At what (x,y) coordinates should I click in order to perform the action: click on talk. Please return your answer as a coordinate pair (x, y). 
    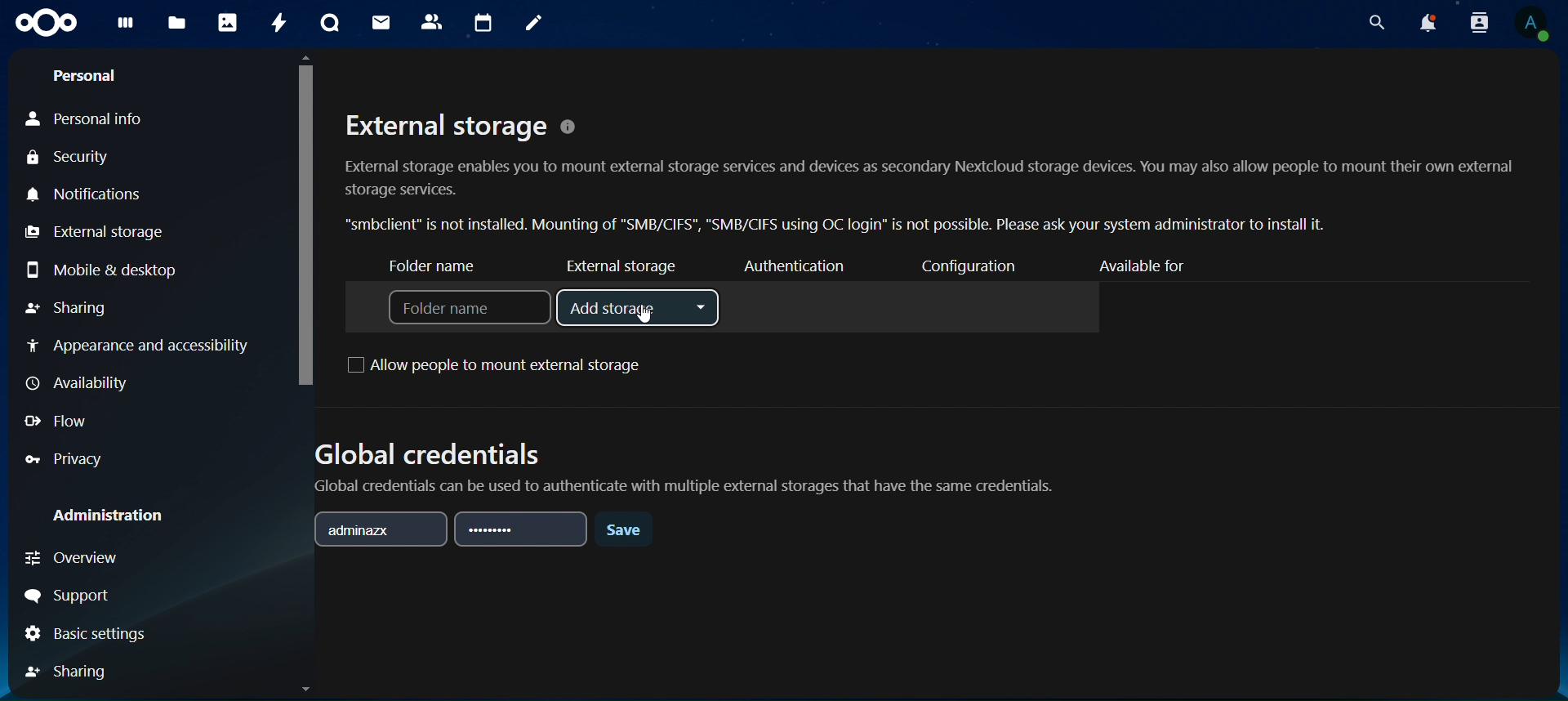
    Looking at the image, I should click on (332, 23).